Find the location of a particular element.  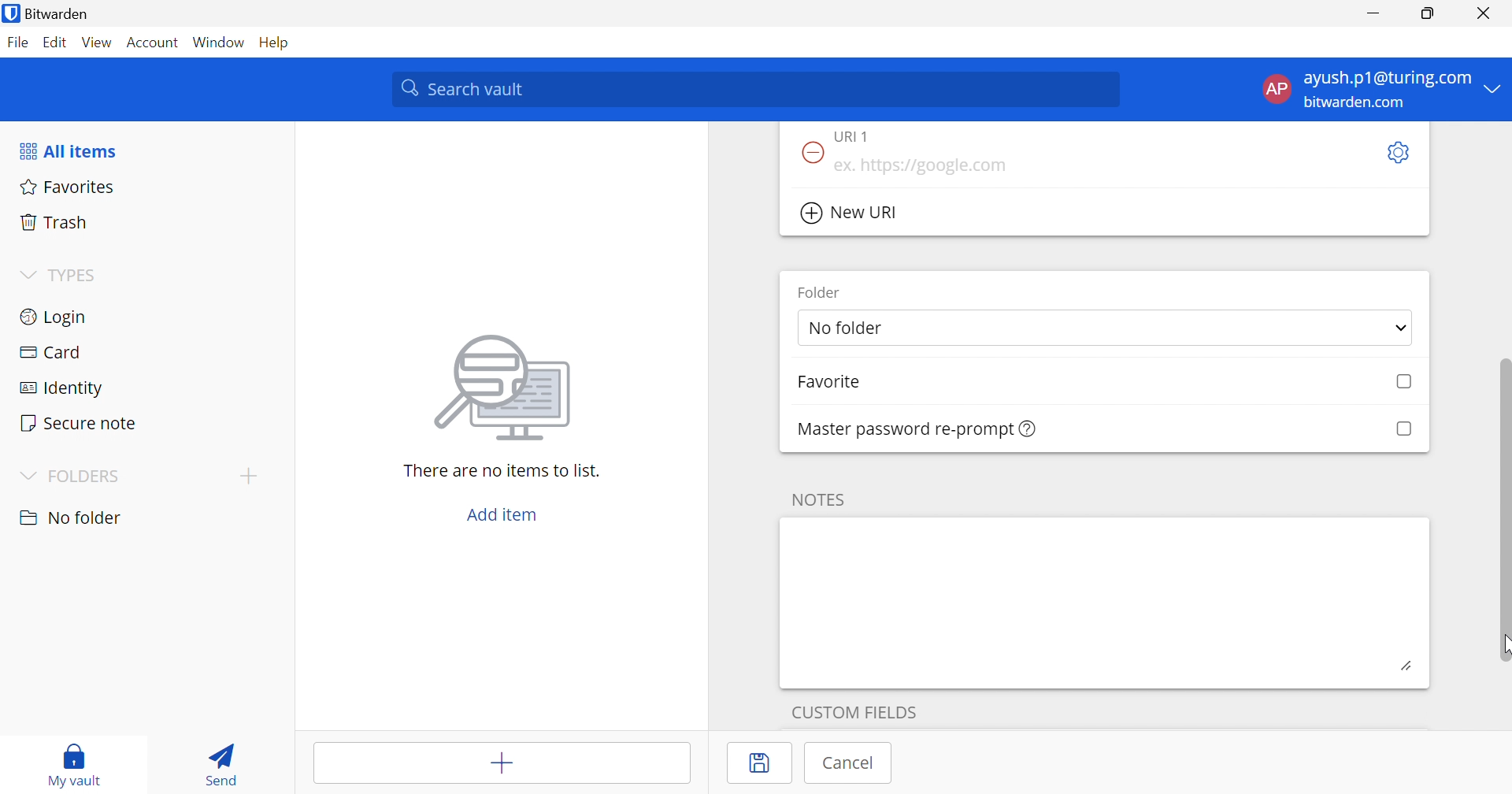

Card is located at coordinates (50, 352).